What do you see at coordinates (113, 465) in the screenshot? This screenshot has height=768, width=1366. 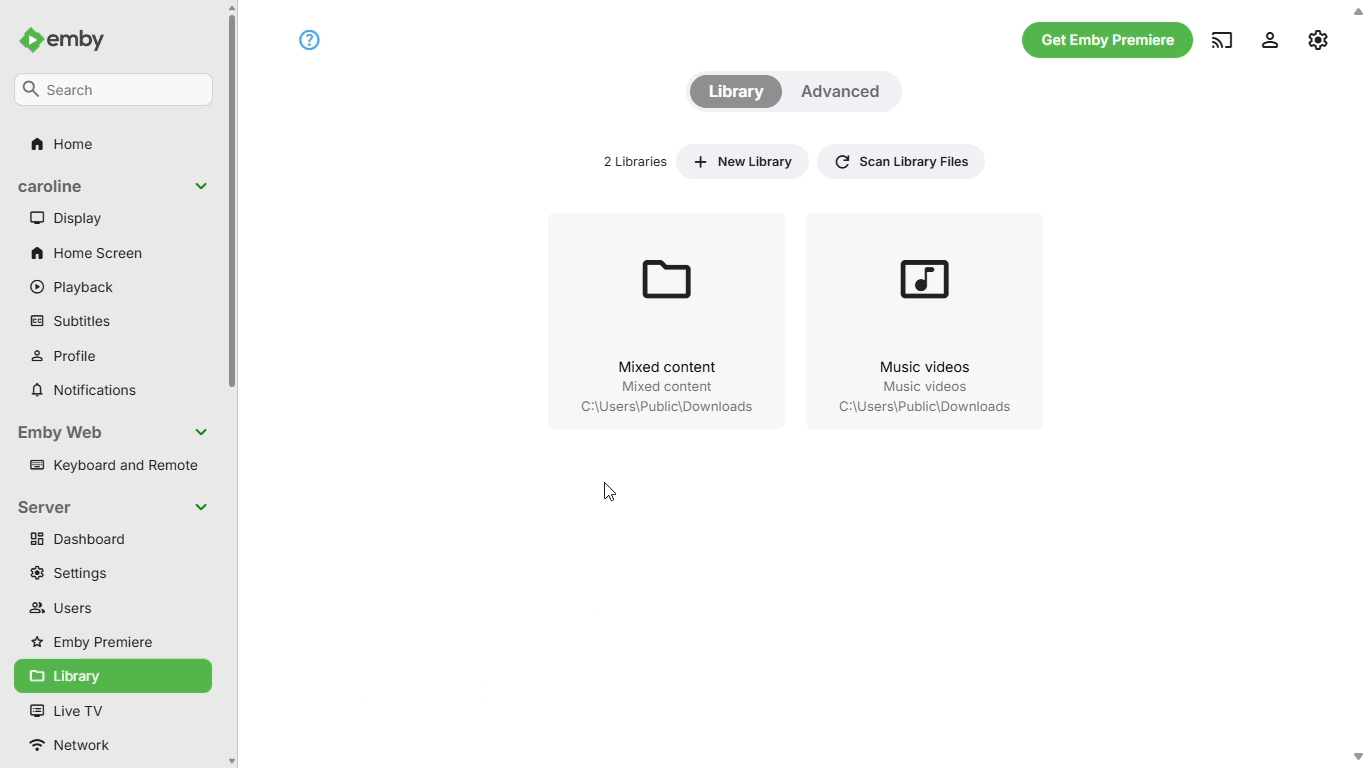 I see `keyboard and remote` at bounding box center [113, 465].